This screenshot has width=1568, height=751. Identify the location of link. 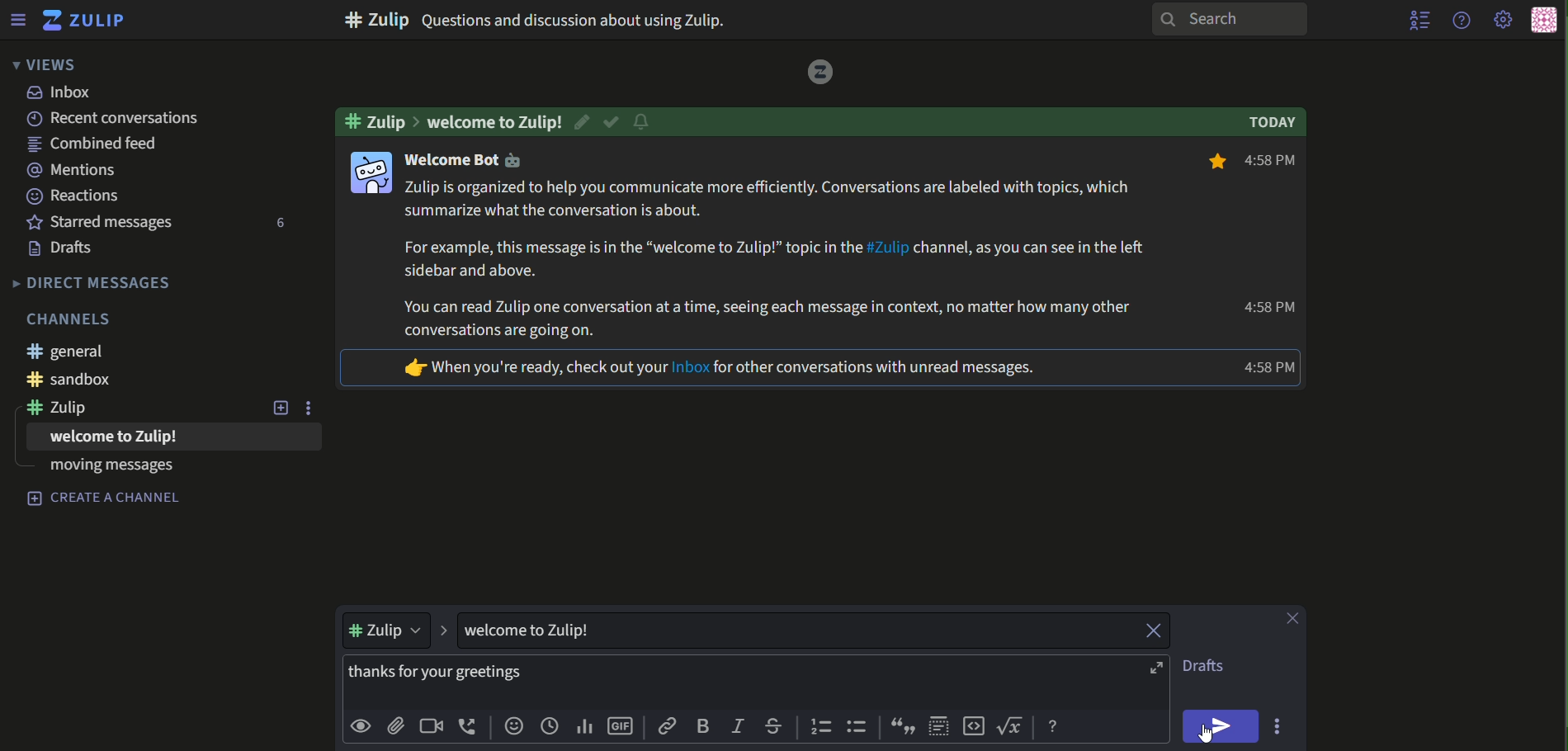
(668, 726).